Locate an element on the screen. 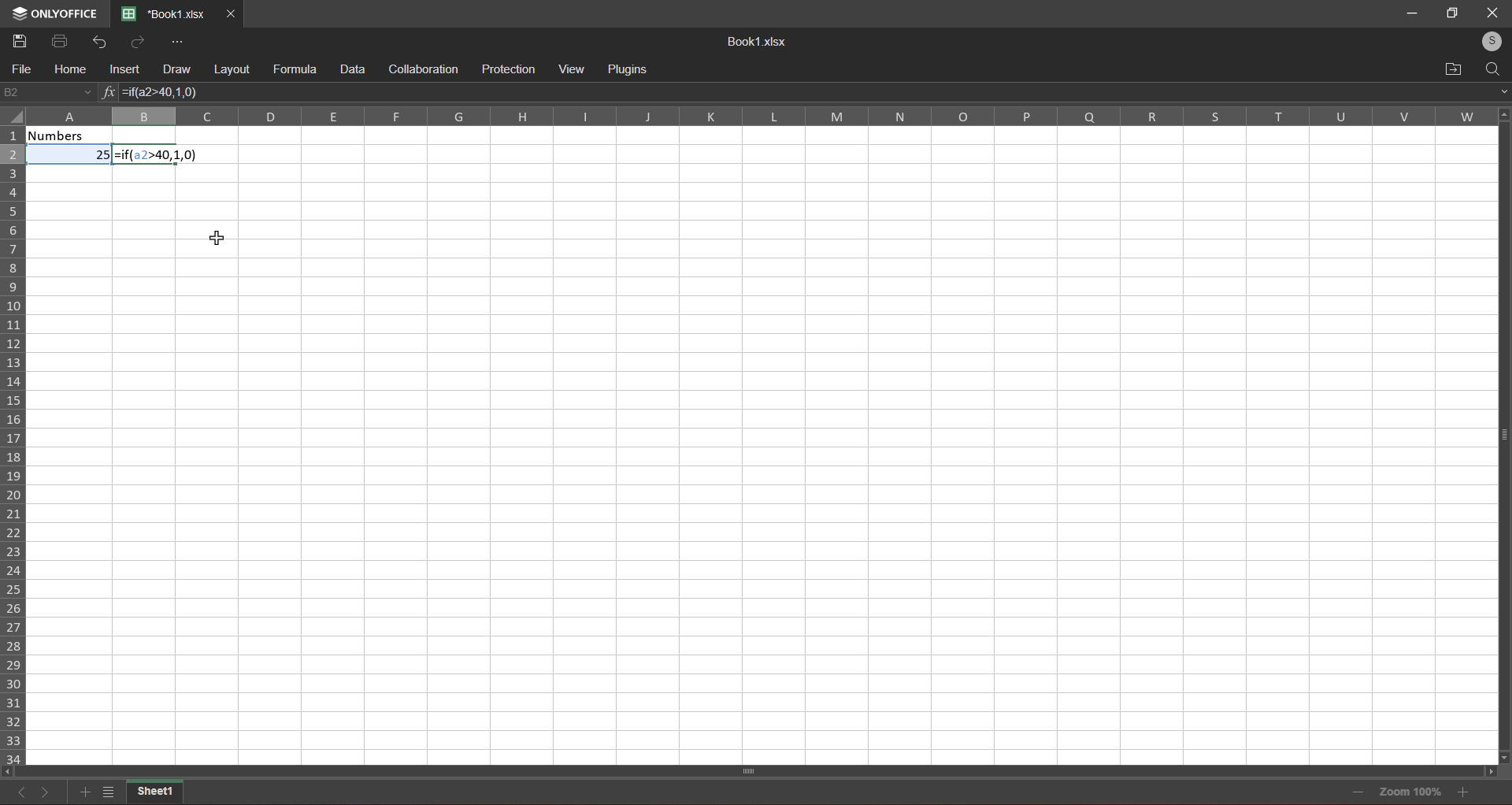  open is located at coordinates (1451, 67).